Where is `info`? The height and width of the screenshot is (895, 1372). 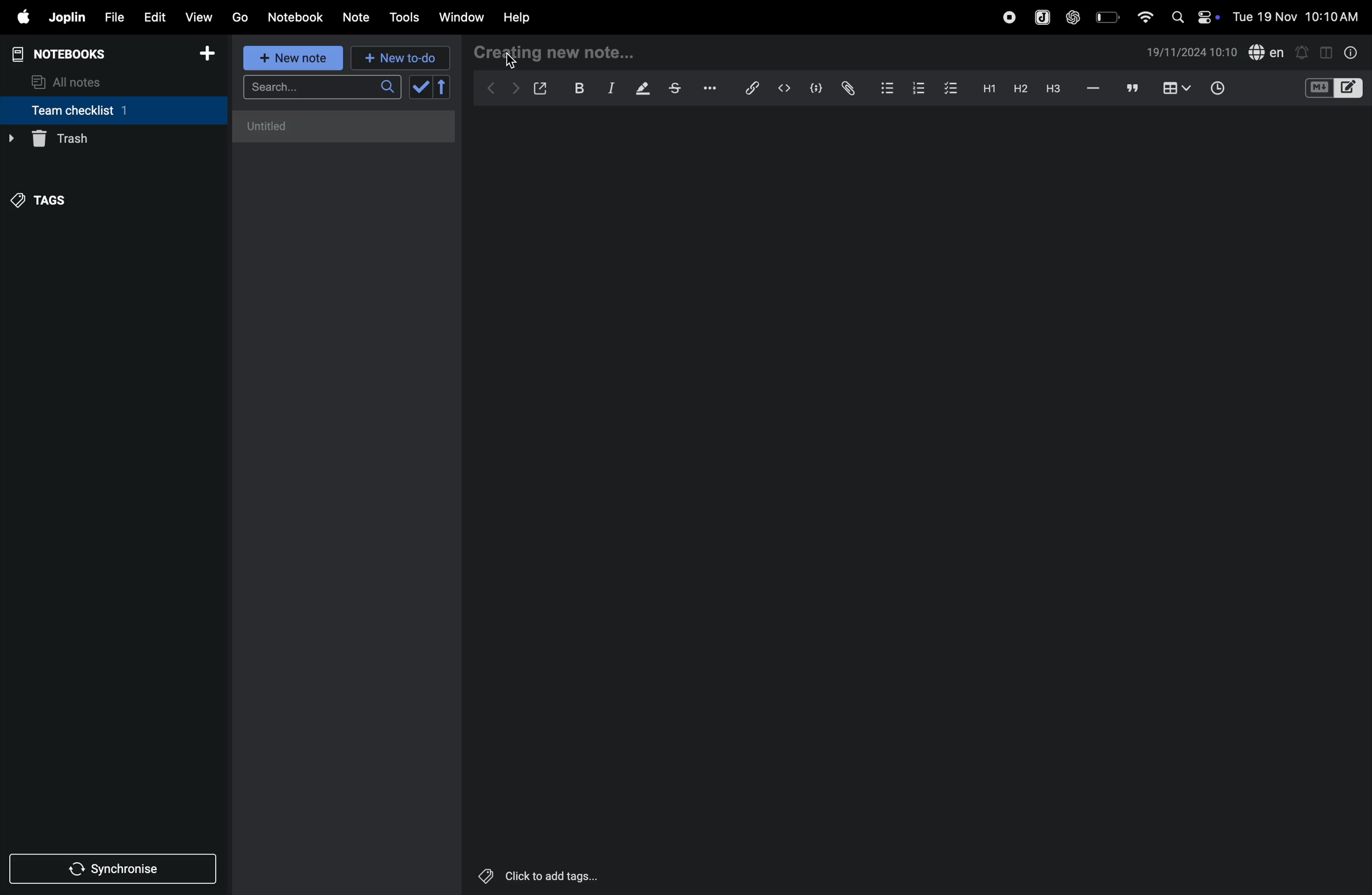
info is located at coordinates (1348, 52).